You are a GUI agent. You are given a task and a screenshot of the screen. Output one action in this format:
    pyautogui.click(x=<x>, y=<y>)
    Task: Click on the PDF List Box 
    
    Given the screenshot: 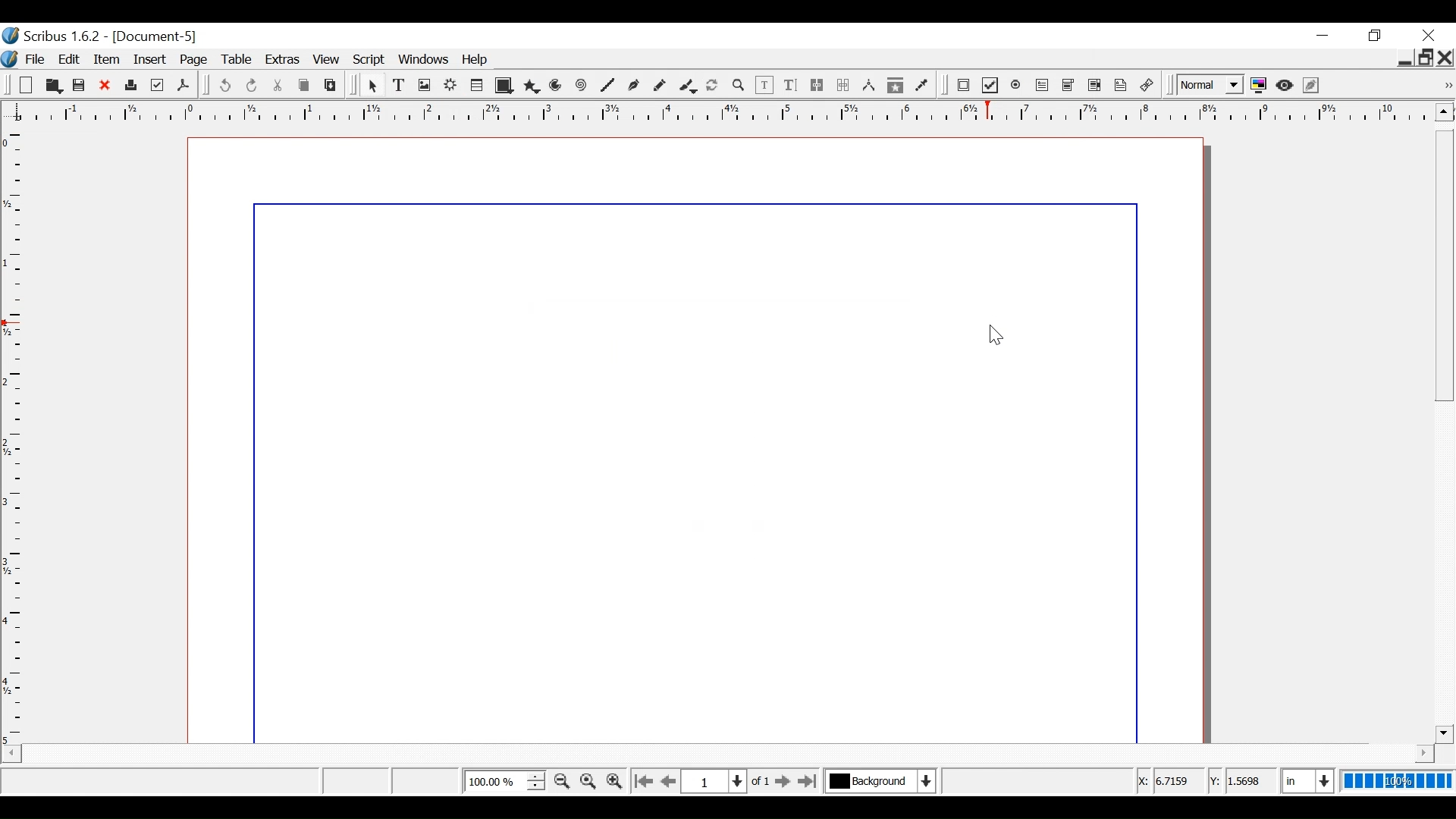 What is the action you would take?
    pyautogui.click(x=1095, y=86)
    